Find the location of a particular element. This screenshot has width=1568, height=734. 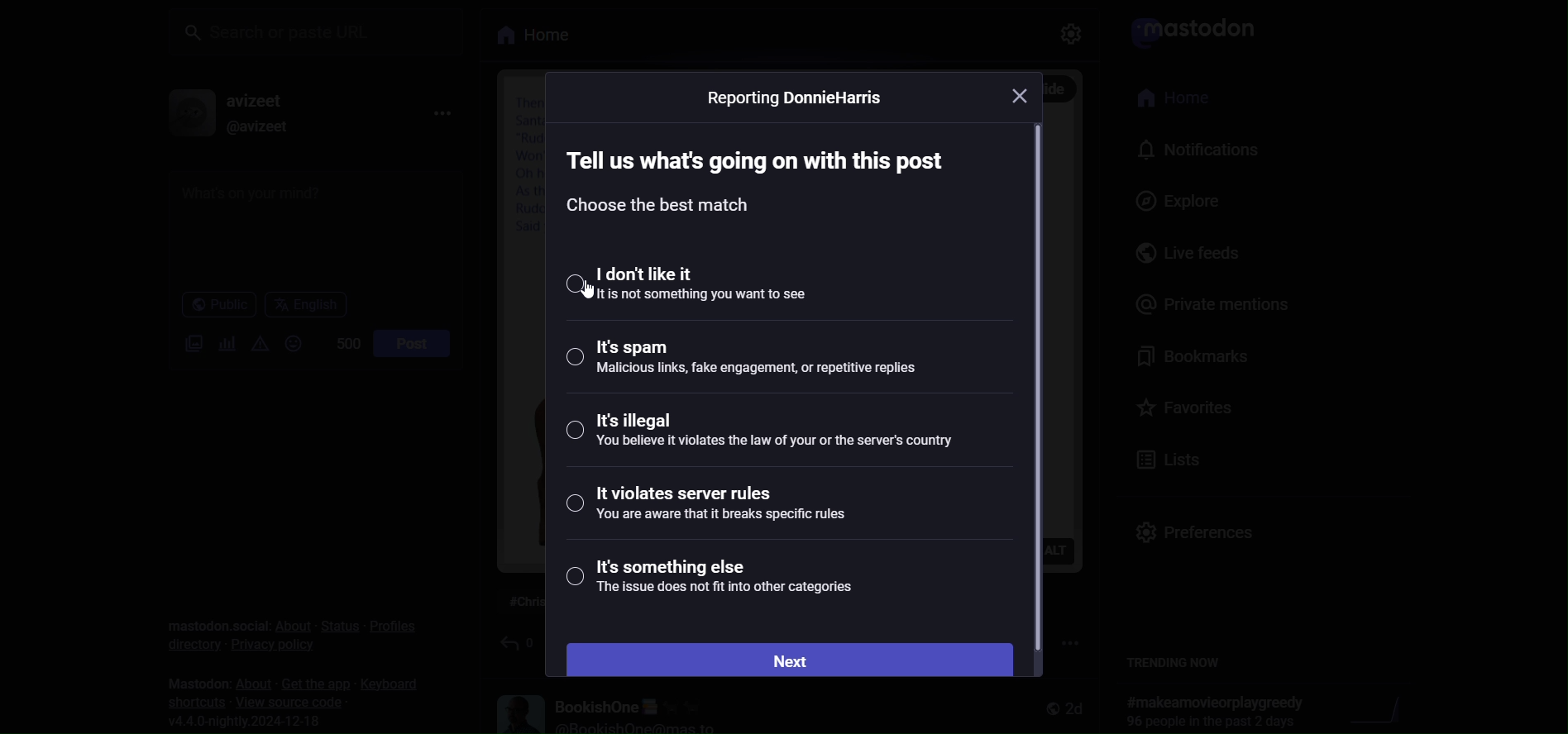

post is located at coordinates (410, 342).